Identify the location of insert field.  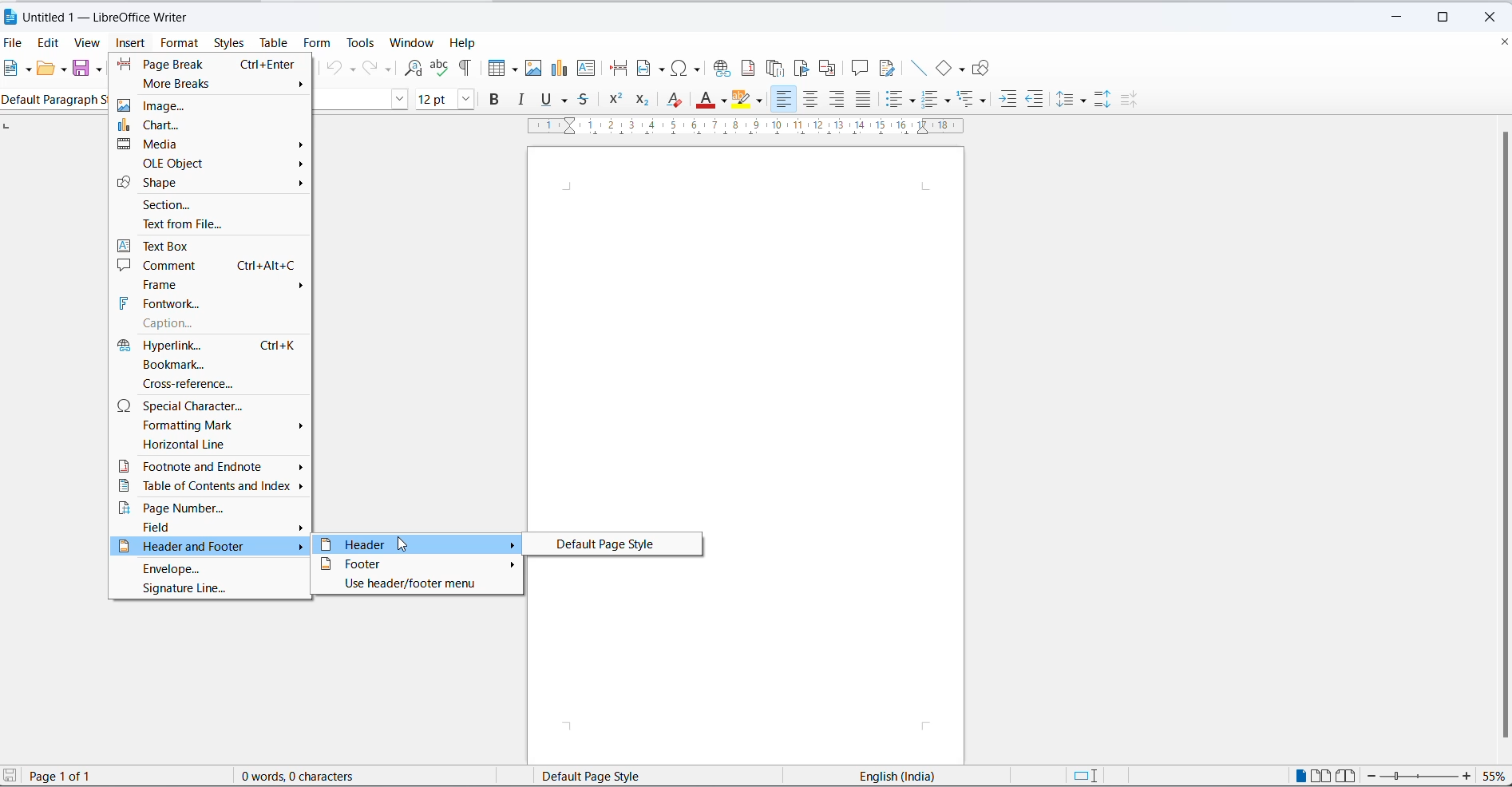
(649, 69).